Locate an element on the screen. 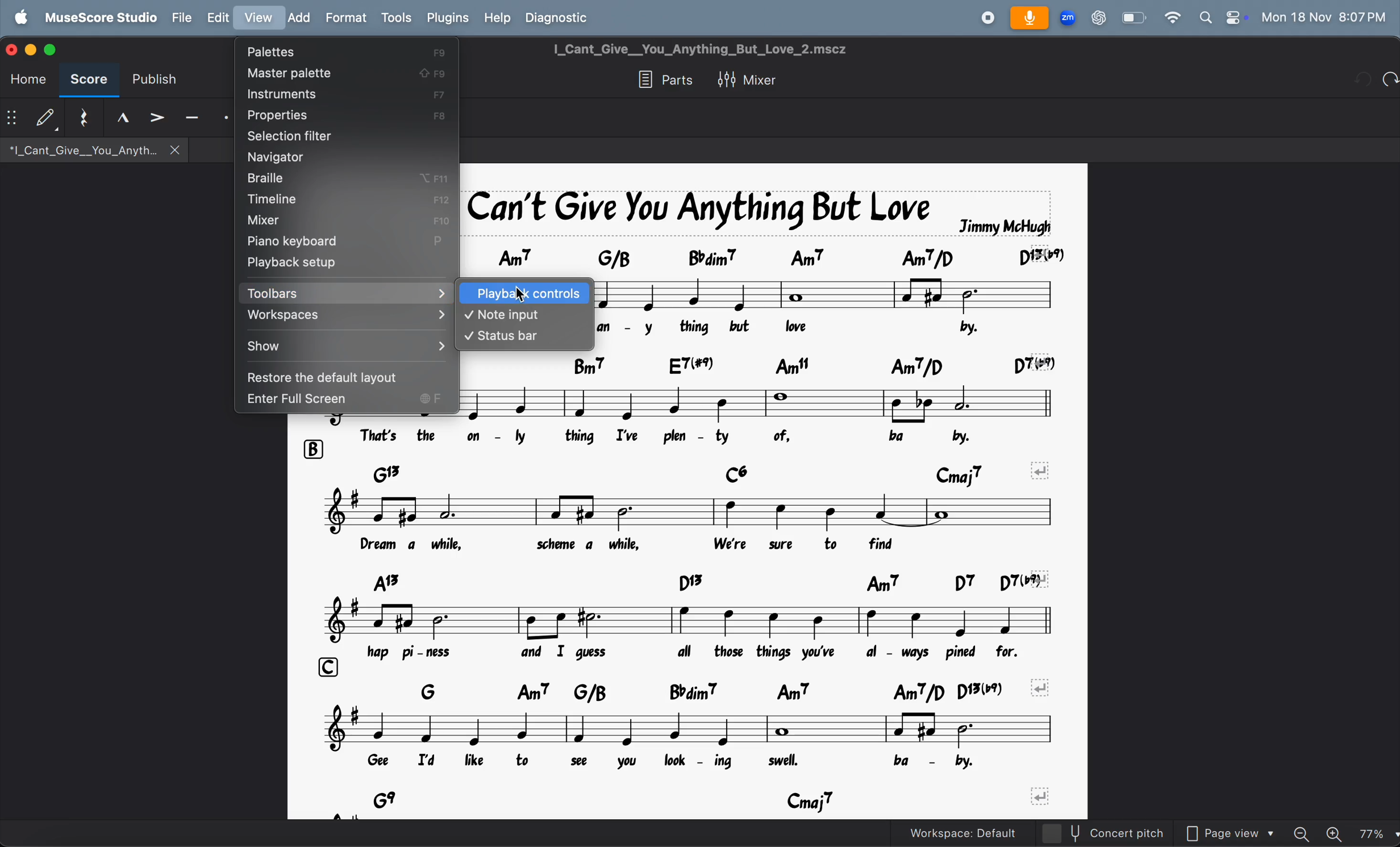 Image resolution: width=1400 pixels, height=847 pixels. *|_Cant_Give__You_Anyth.. X is located at coordinates (93, 150).